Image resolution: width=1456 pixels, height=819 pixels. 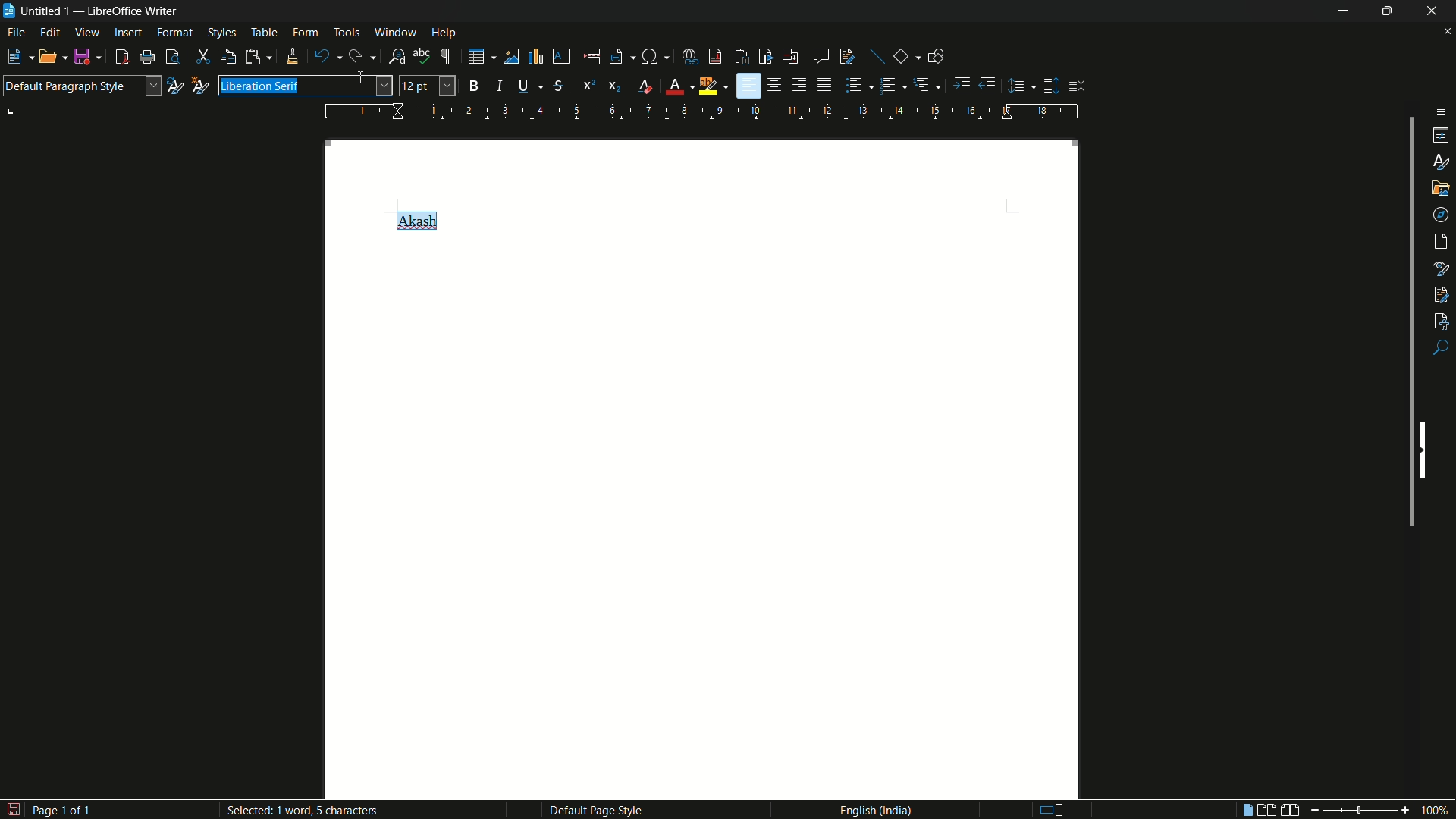 I want to click on multiple page, so click(x=1267, y=810).